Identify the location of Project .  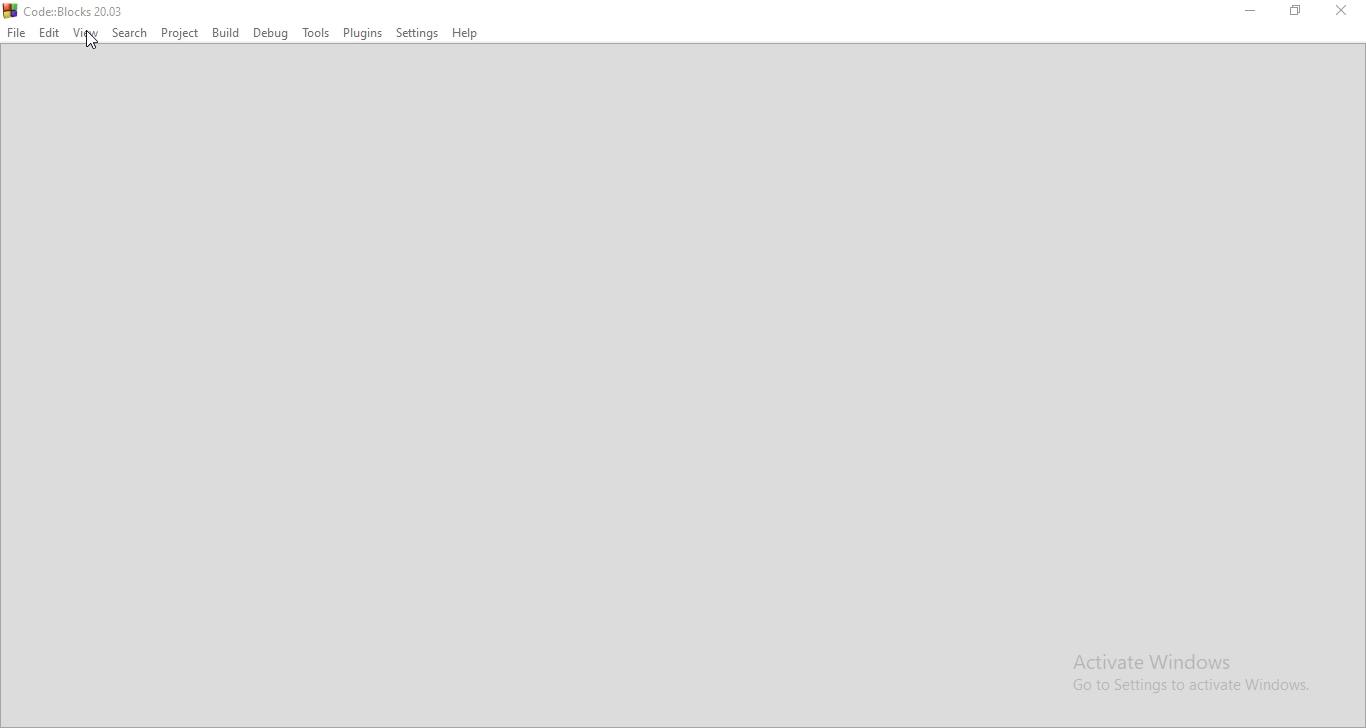
(180, 34).